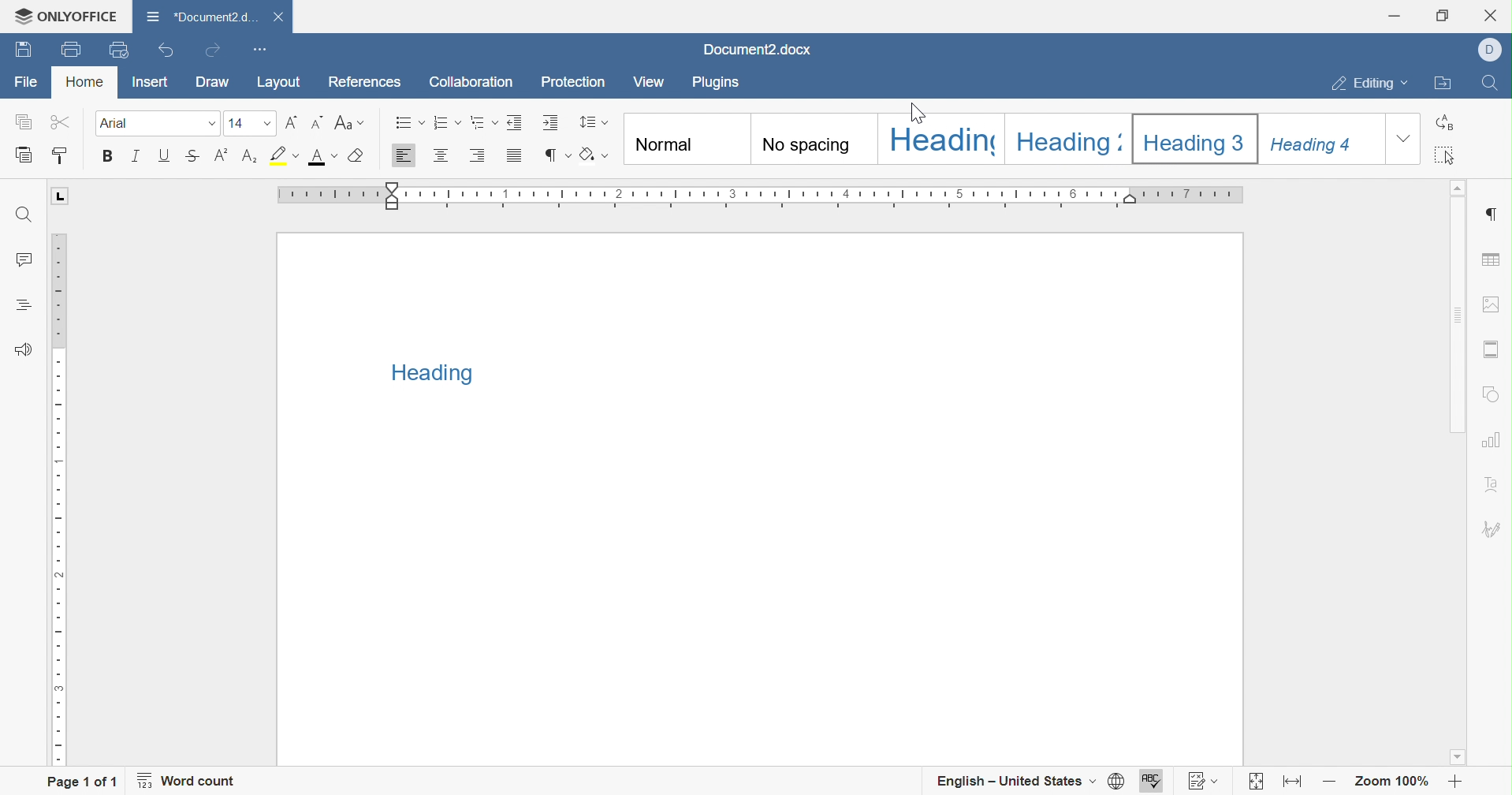 Image resolution: width=1512 pixels, height=795 pixels. I want to click on Undo, so click(163, 53).